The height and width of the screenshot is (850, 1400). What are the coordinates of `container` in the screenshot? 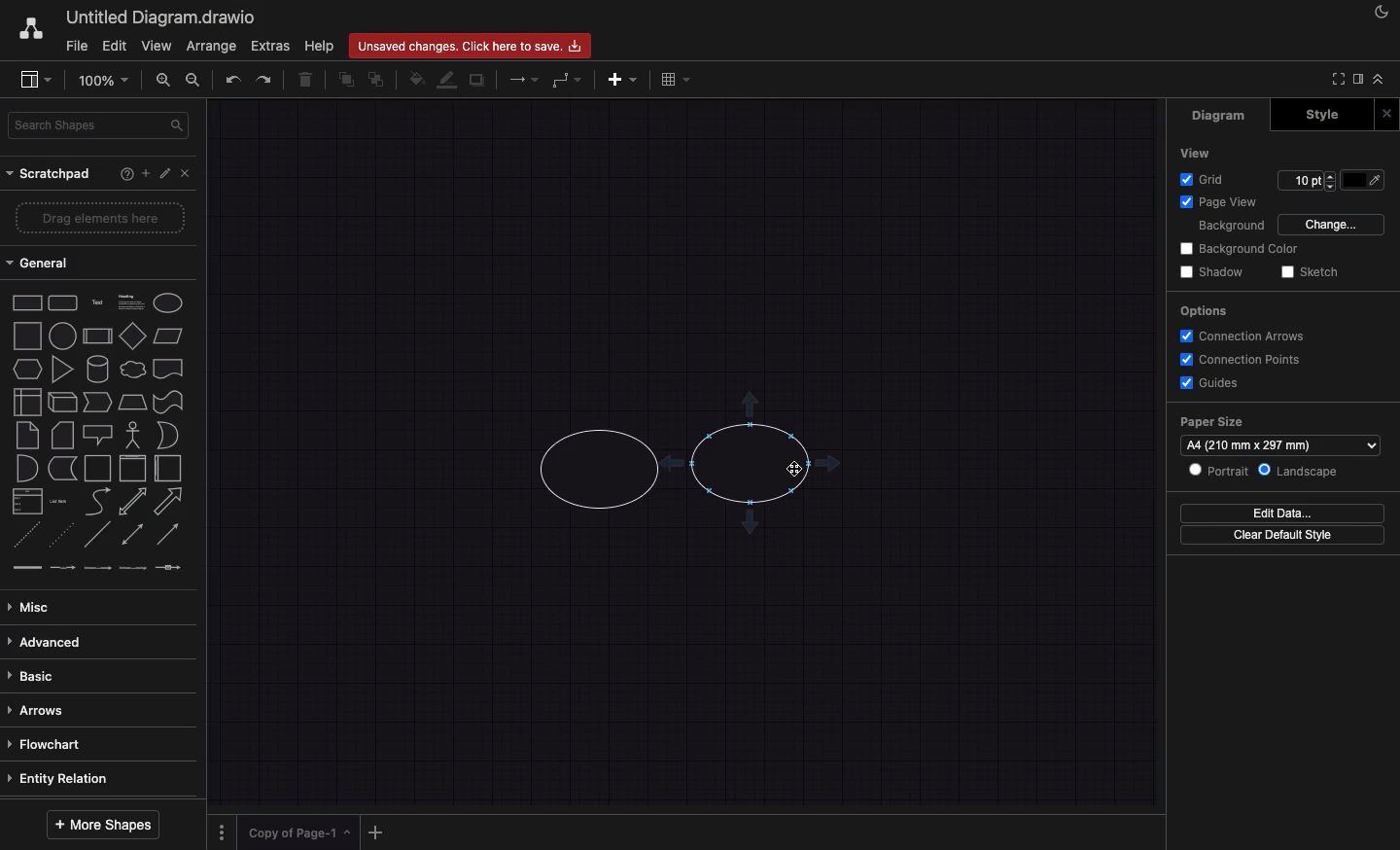 It's located at (98, 469).